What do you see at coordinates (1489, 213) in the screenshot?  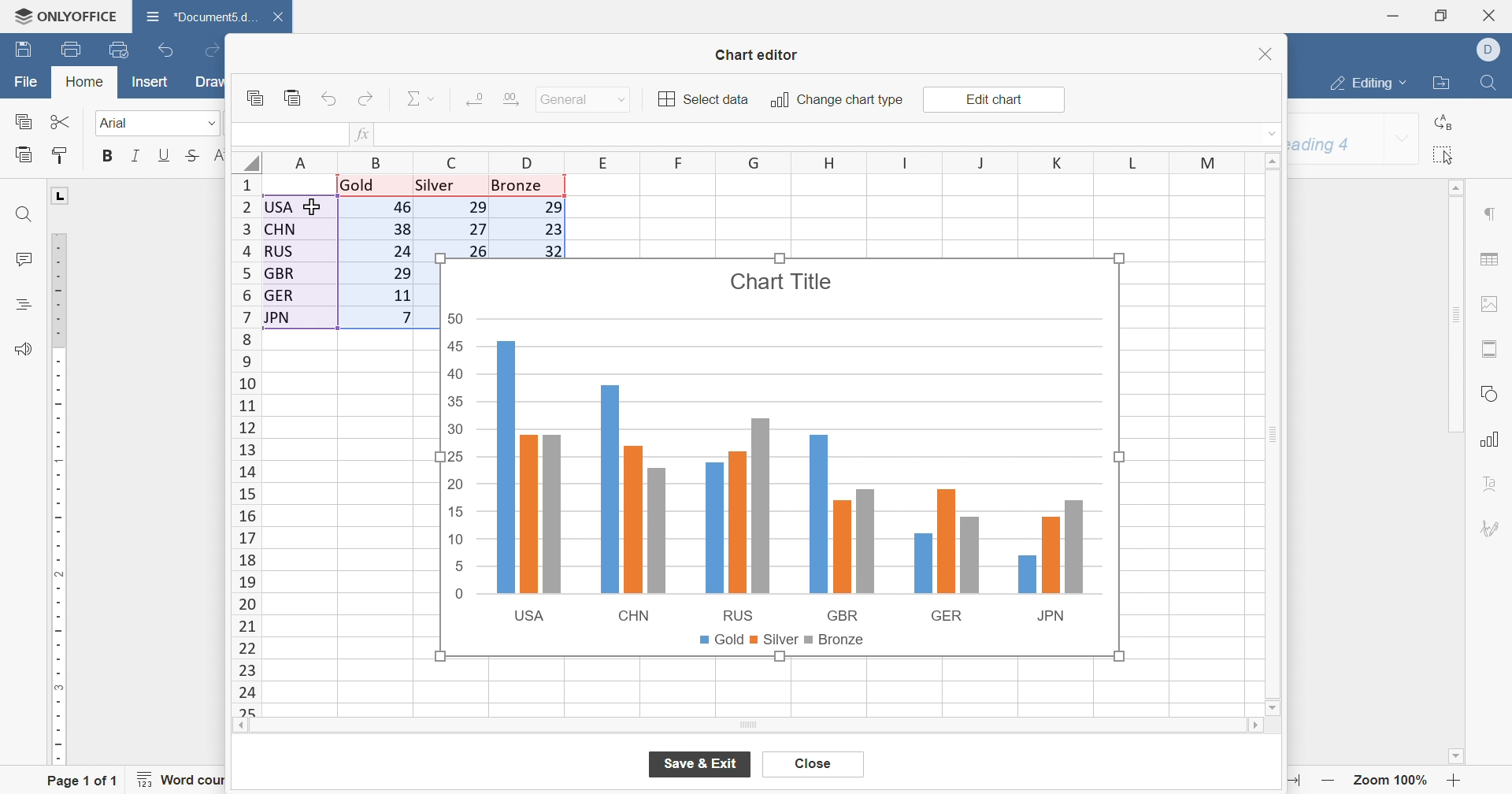 I see `paragraph settings` at bounding box center [1489, 213].